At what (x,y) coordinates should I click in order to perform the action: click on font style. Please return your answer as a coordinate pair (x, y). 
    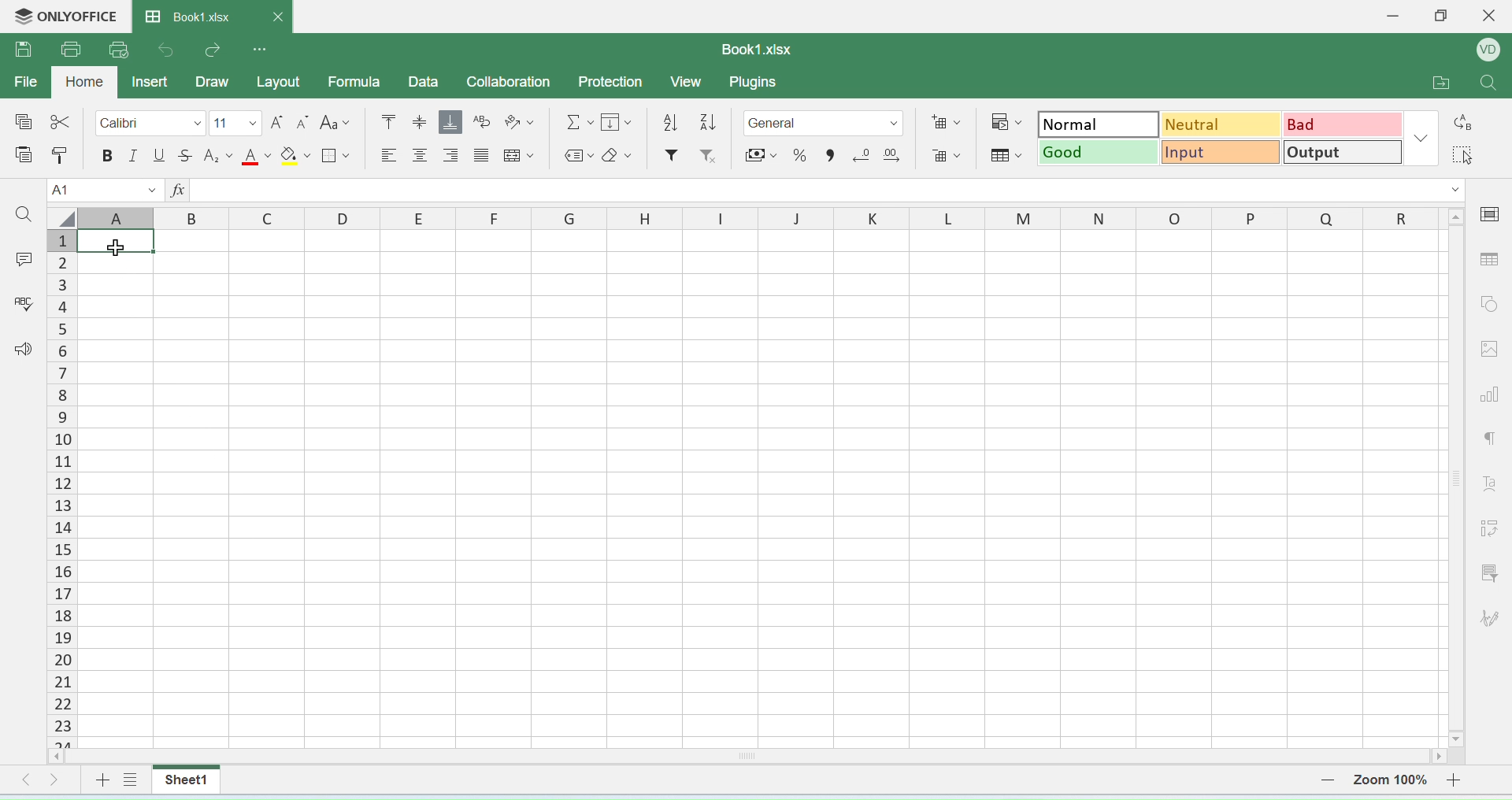
    Looking at the image, I should click on (341, 123).